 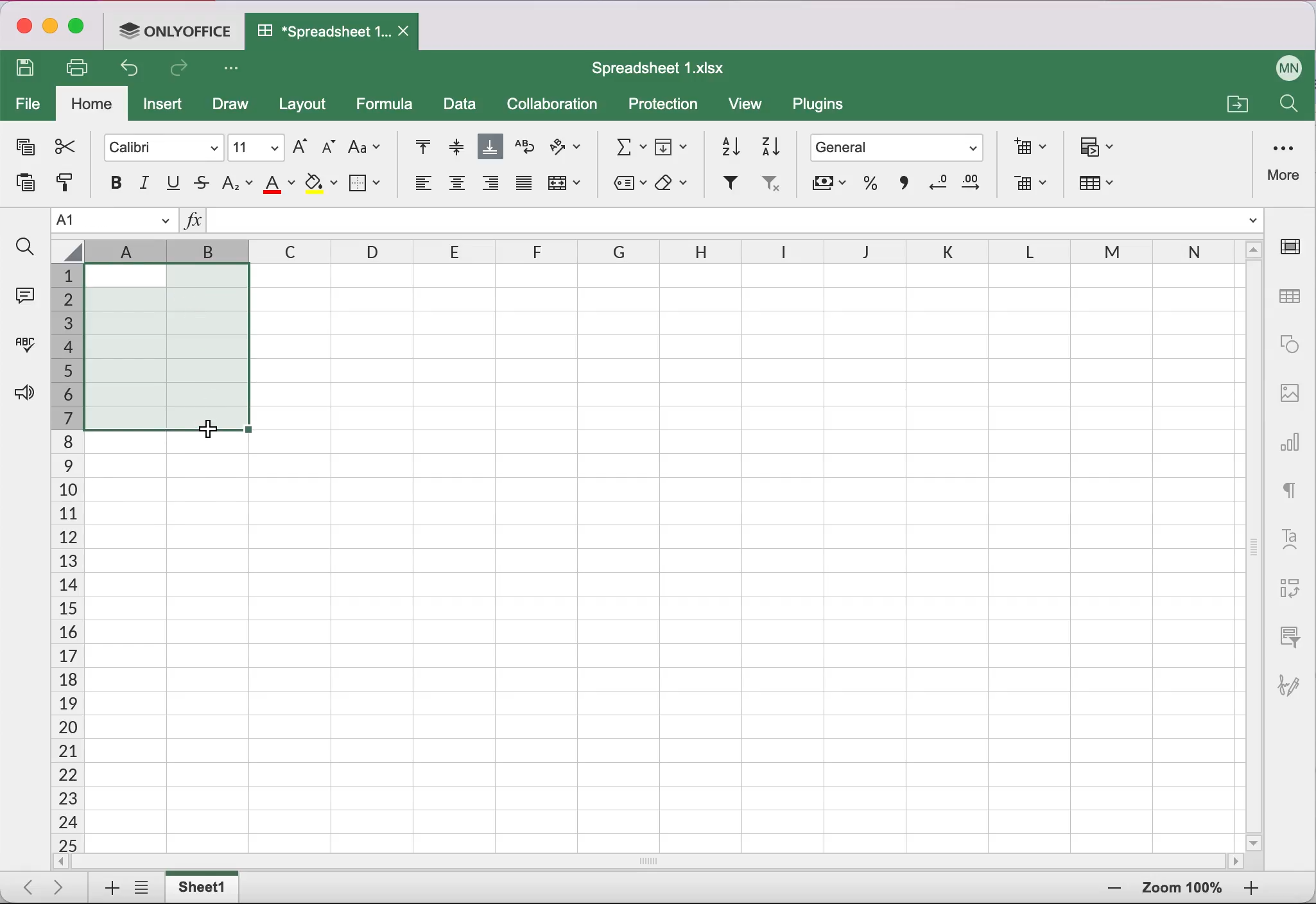 I want to click on text, so click(x=1290, y=487).